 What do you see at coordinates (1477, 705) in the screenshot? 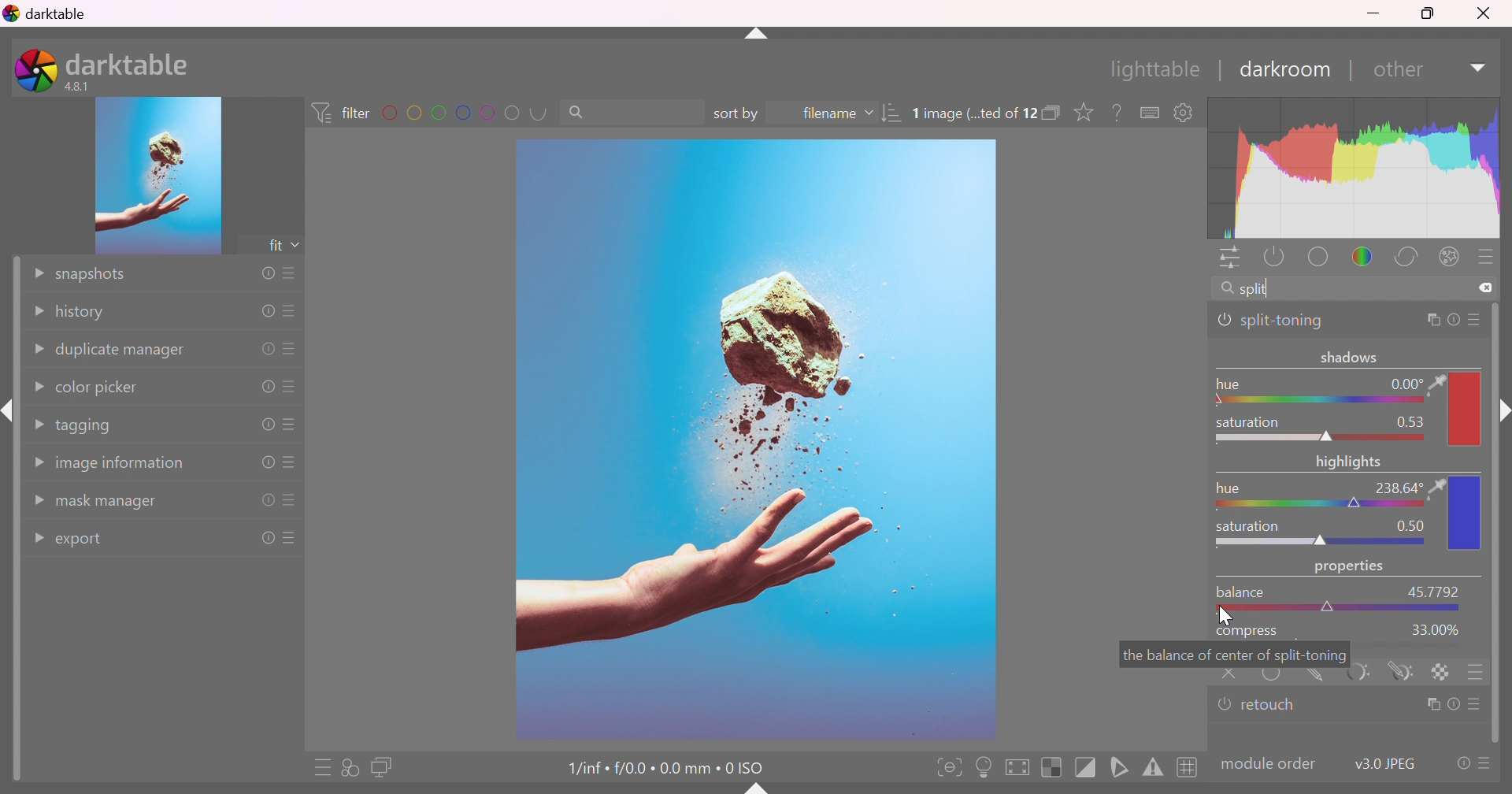
I see `presets` at bounding box center [1477, 705].